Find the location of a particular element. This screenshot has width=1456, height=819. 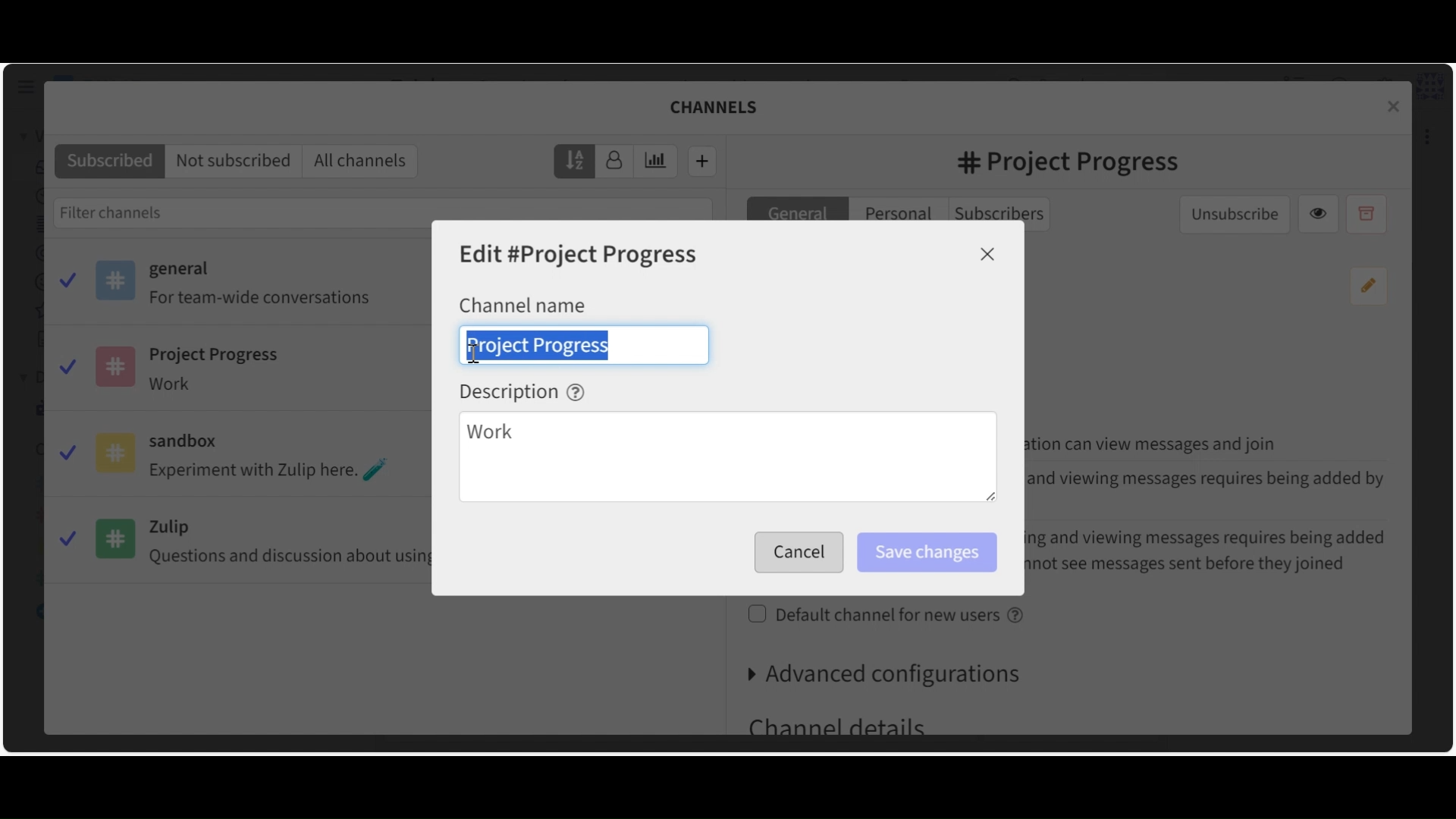

Description is located at coordinates (522, 391).